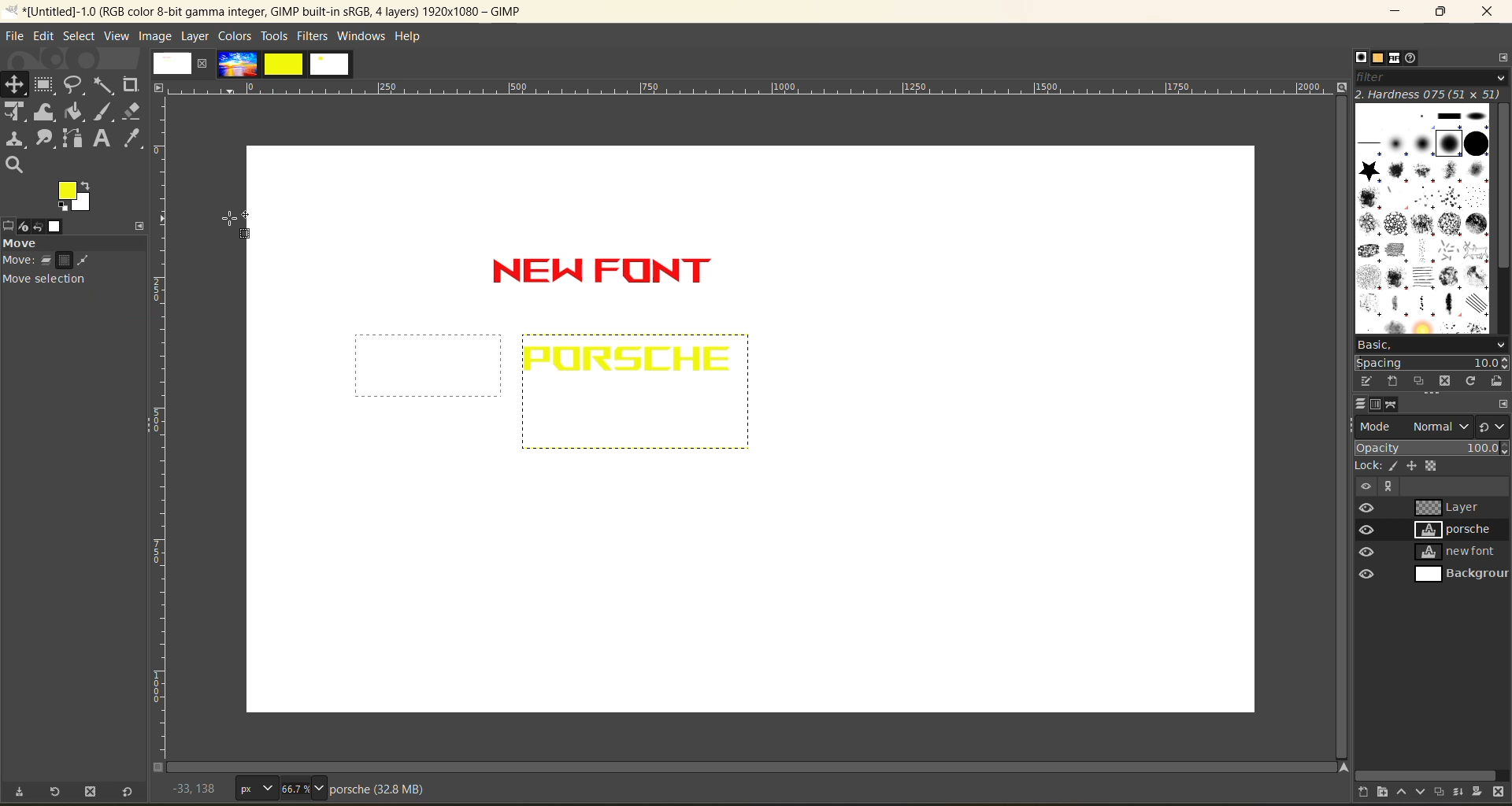  Describe the element at coordinates (265, 10) in the screenshot. I see `app name and file name` at that location.